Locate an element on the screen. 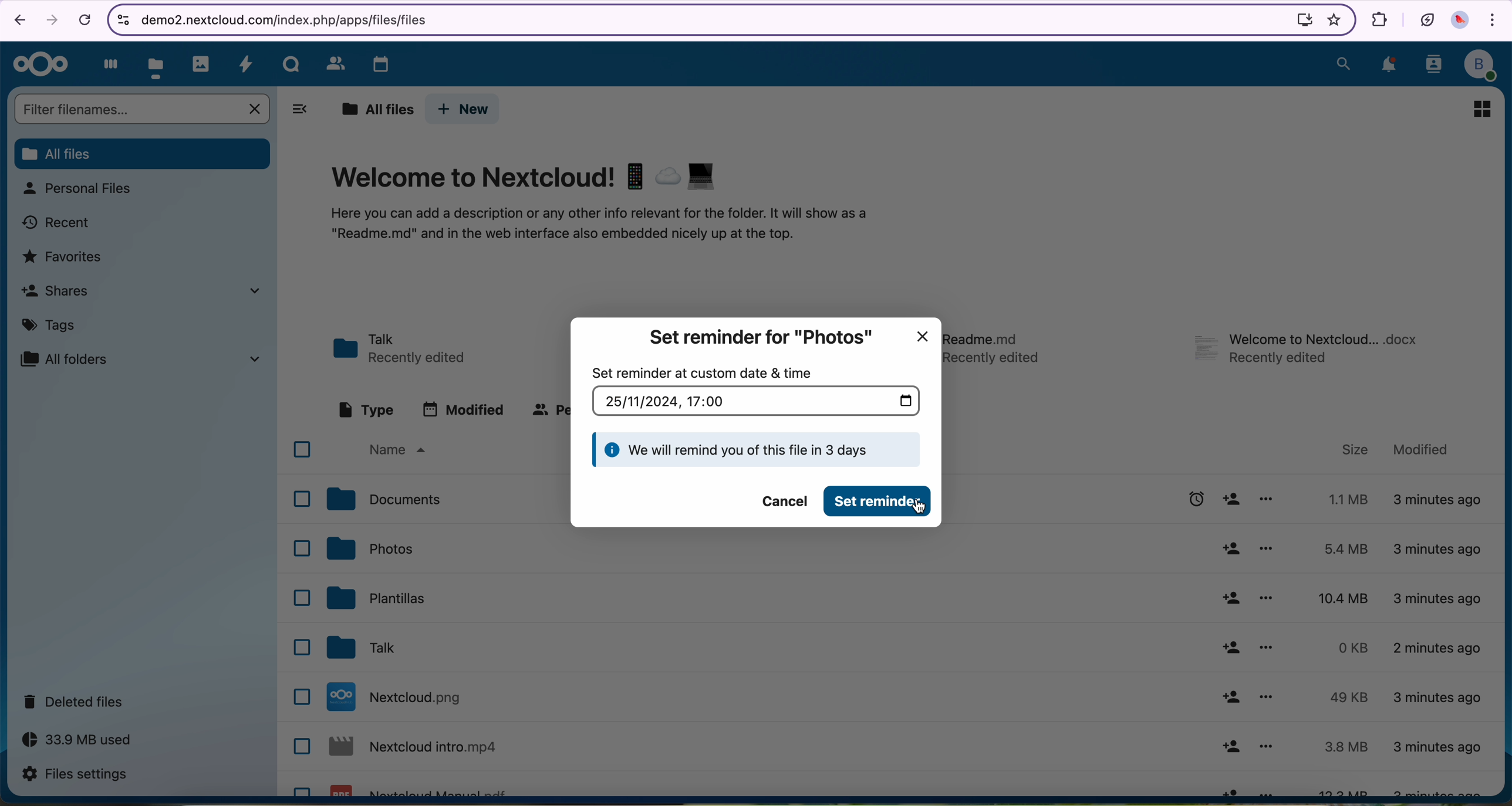  click on more options is located at coordinates (1270, 550).